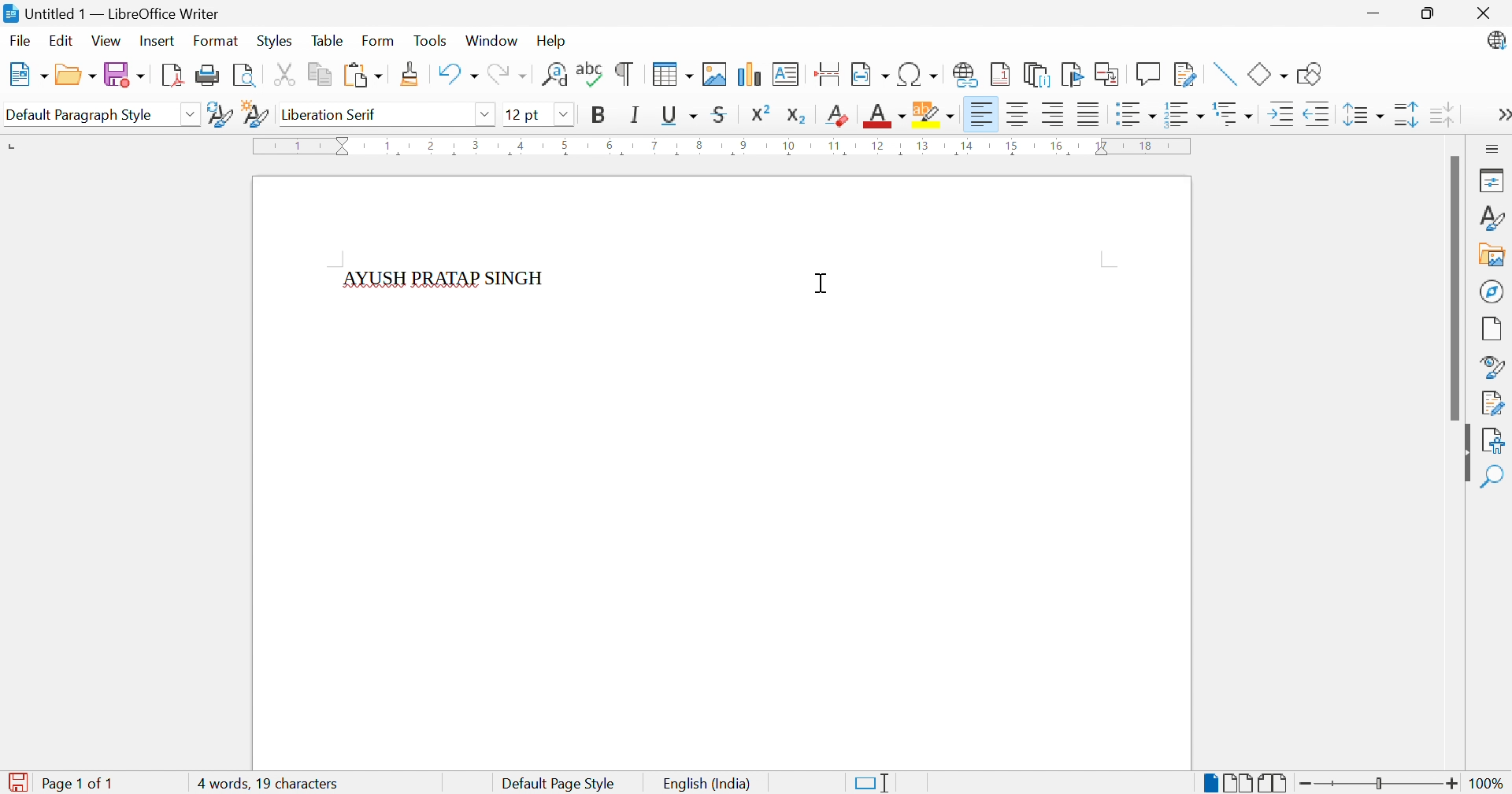  I want to click on Show Track Changes Functions, so click(1183, 74).